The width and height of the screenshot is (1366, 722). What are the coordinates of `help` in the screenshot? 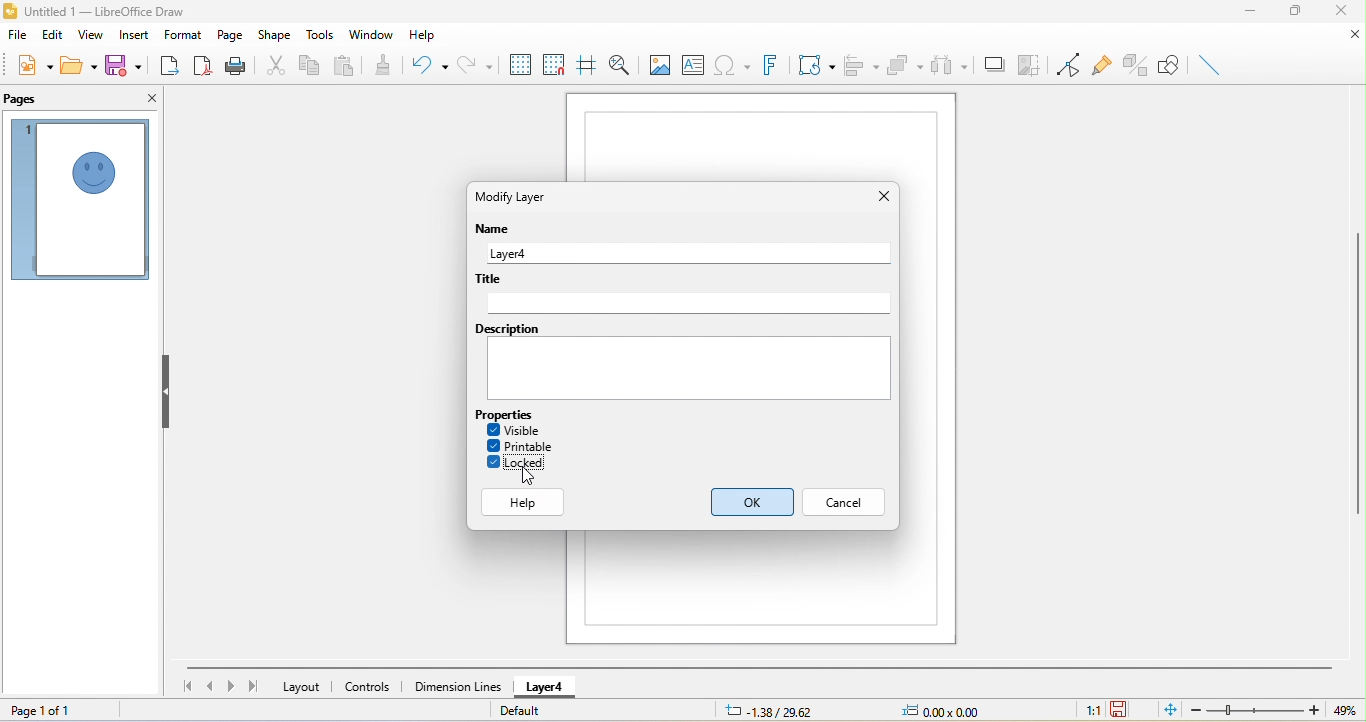 It's located at (526, 503).